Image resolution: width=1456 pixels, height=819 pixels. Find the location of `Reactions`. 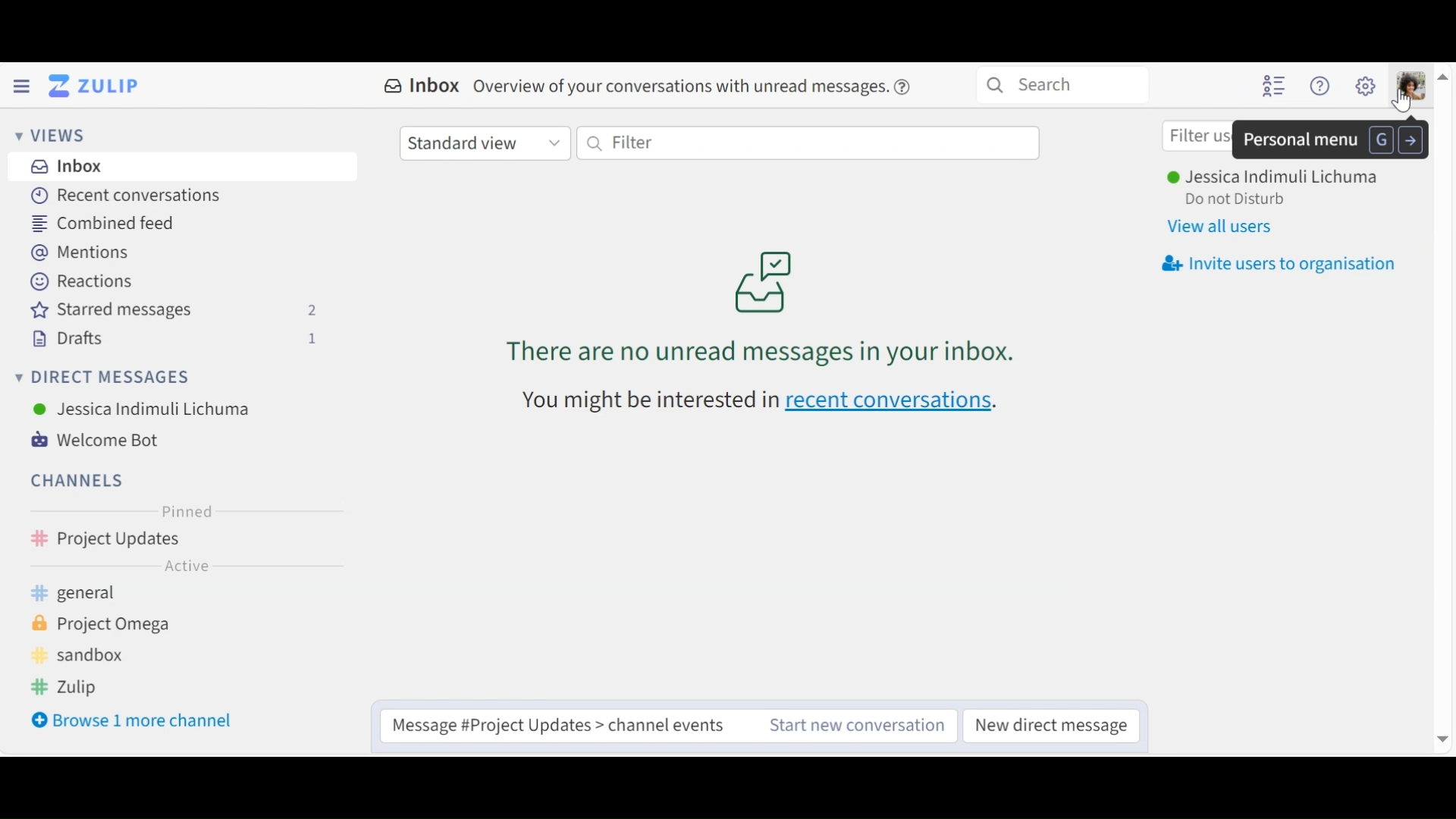

Reactions is located at coordinates (80, 280).